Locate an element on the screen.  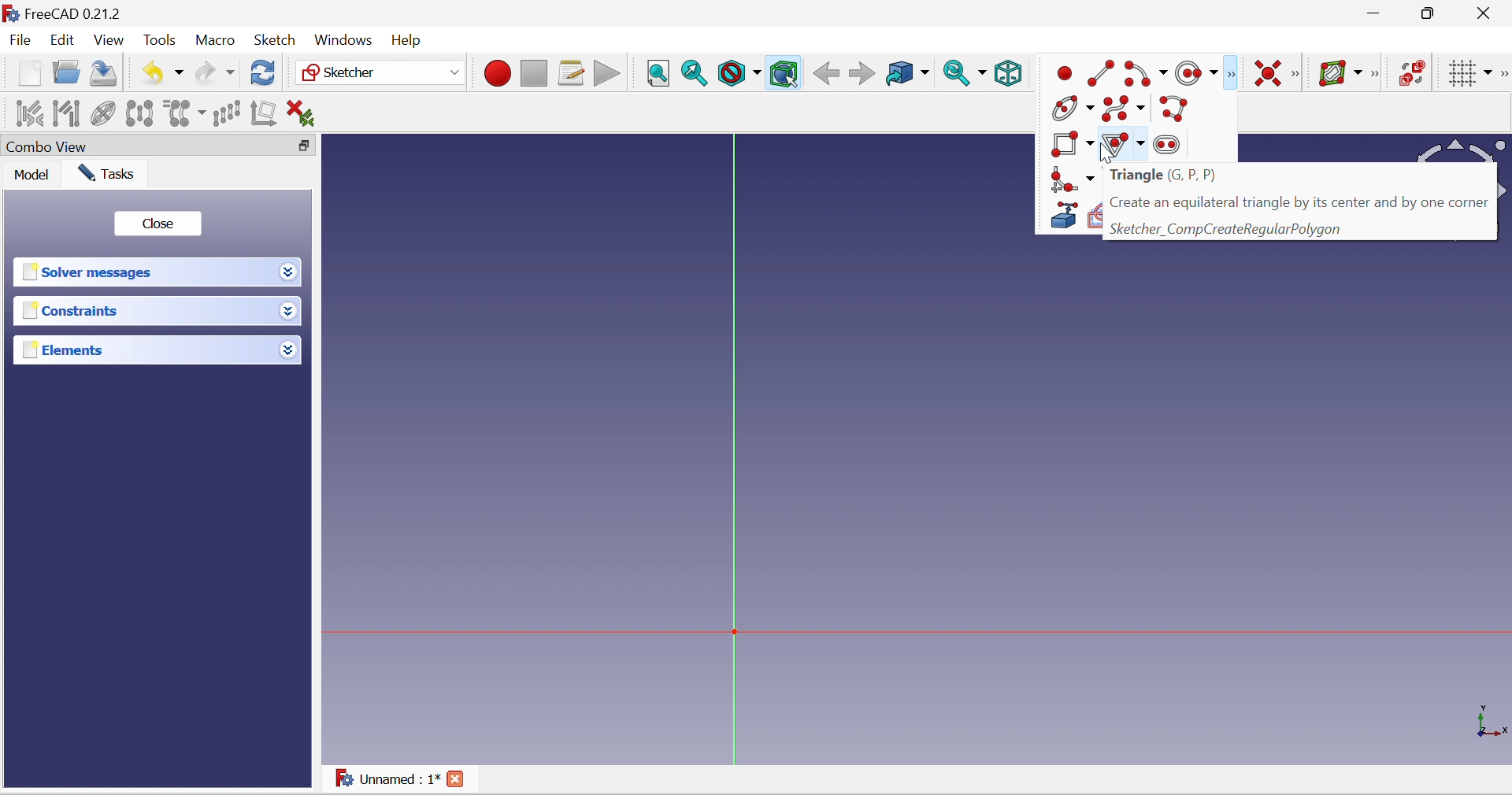
Show/hide B-spline information layer is located at coordinates (1340, 74).